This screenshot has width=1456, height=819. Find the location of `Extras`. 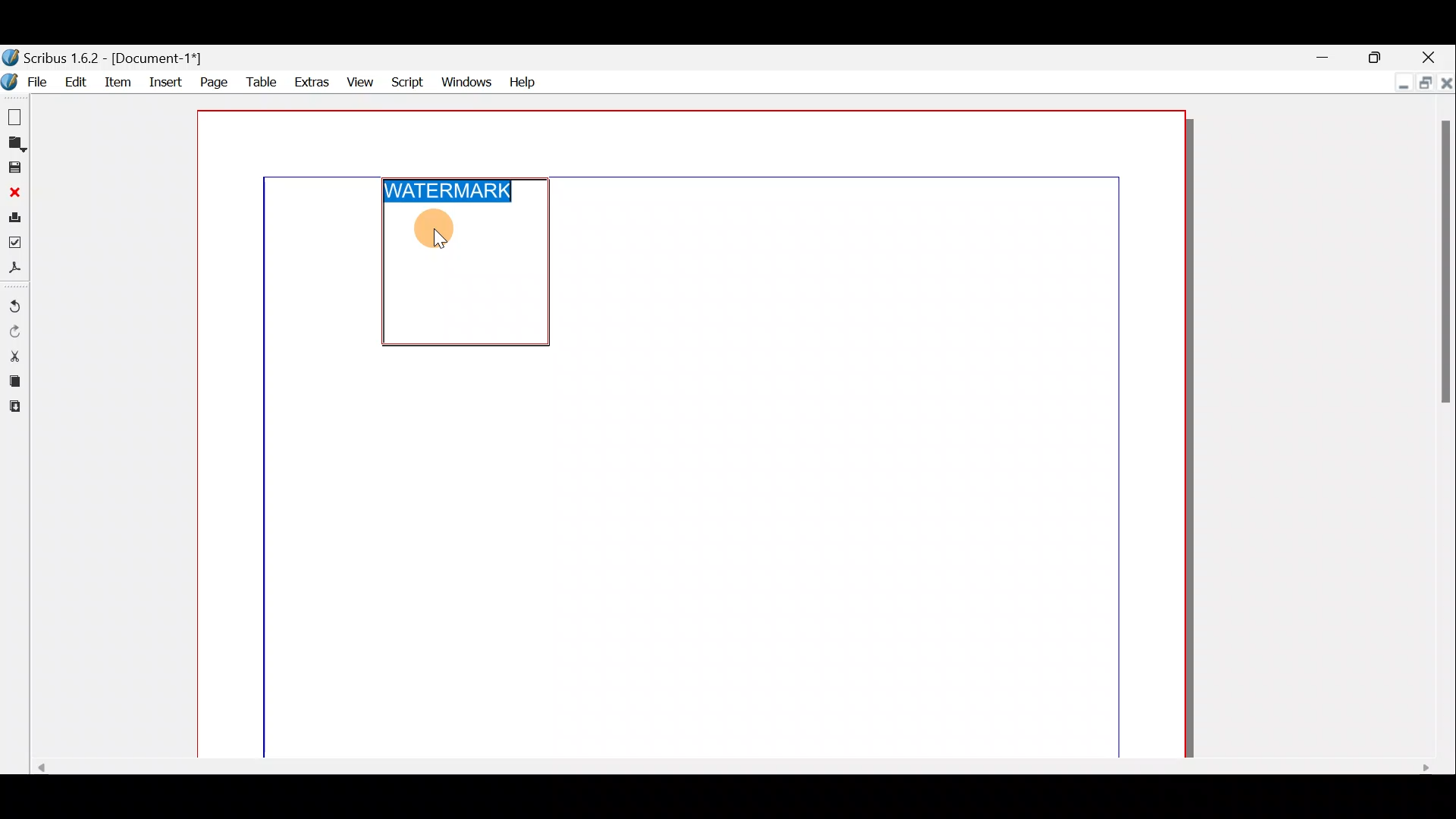

Extras is located at coordinates (310, 83).